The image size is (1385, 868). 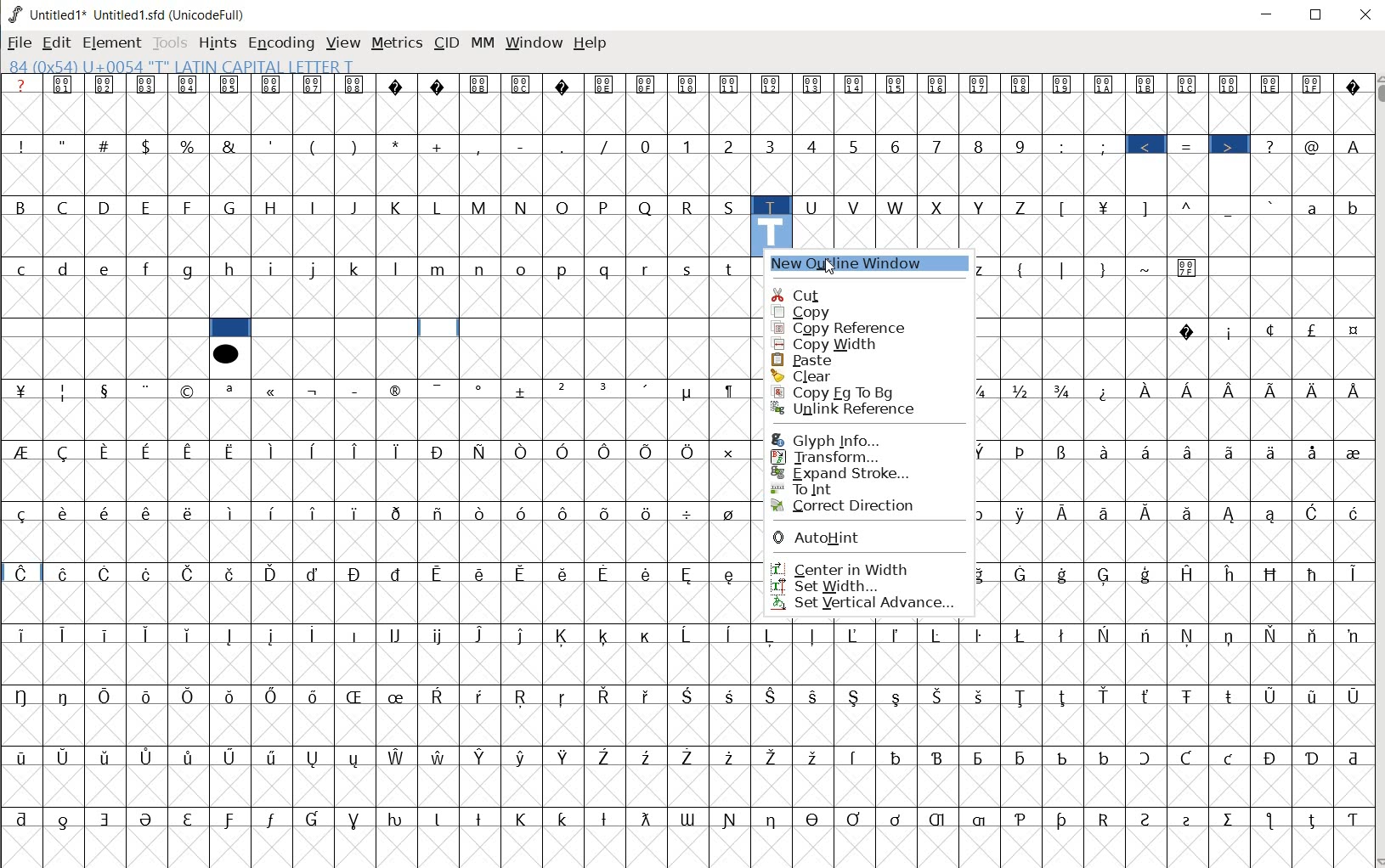 I want to click on Symbol, so click(x=20, y=513).